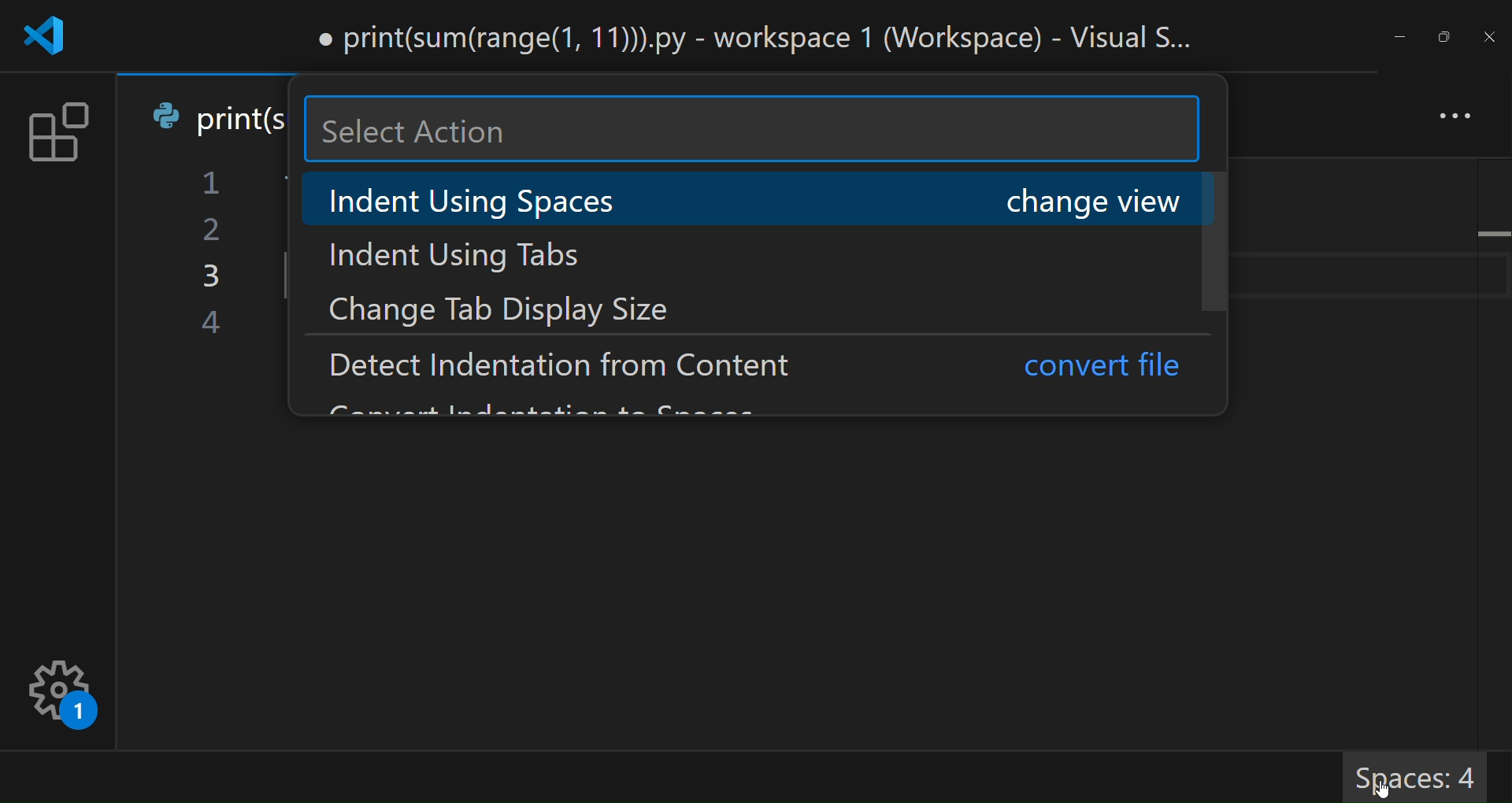 This screenshot has width=1512, height=803. I want to click on close, so click(1489, 36).